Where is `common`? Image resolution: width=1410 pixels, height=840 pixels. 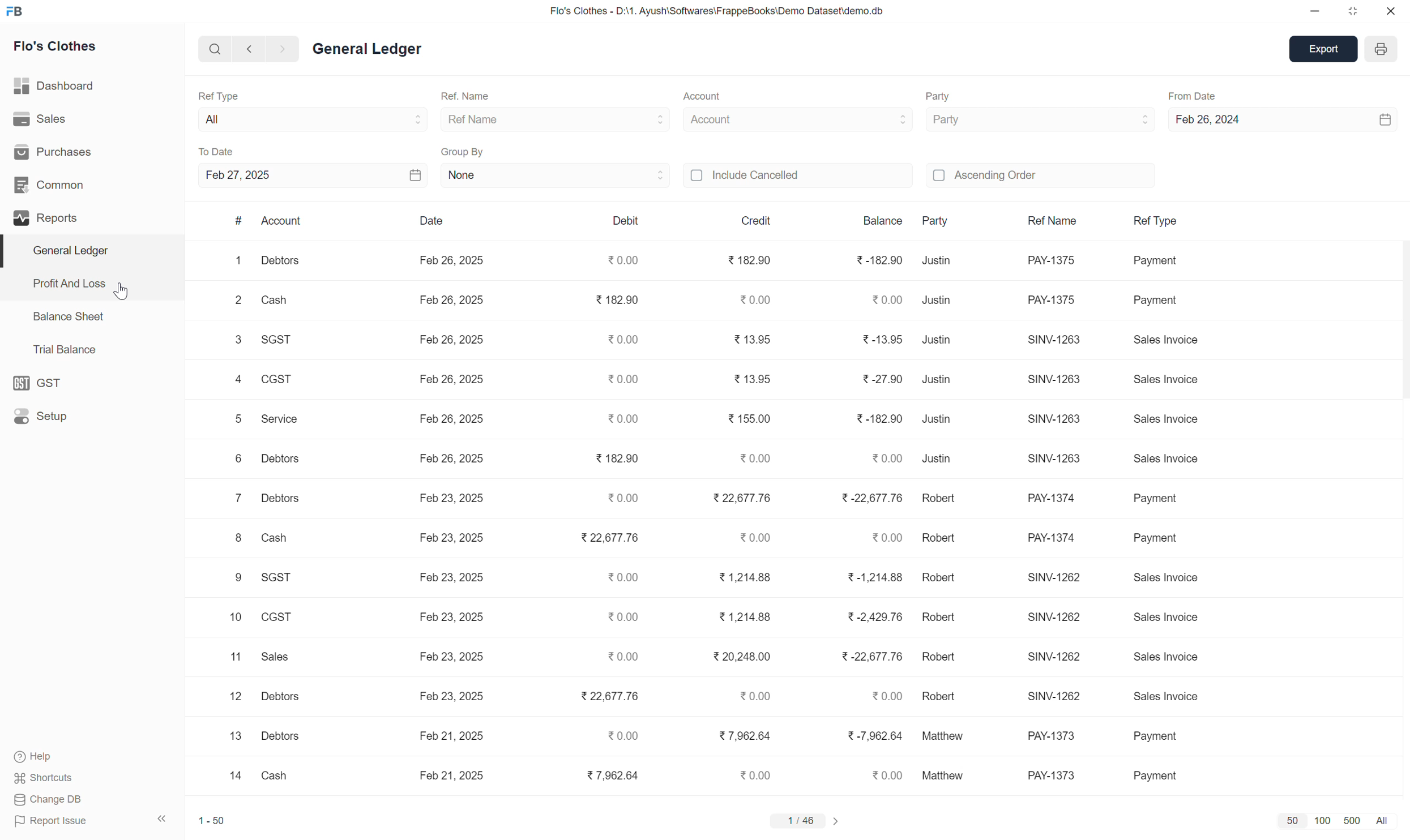 common is located at coordinates (49, 183).